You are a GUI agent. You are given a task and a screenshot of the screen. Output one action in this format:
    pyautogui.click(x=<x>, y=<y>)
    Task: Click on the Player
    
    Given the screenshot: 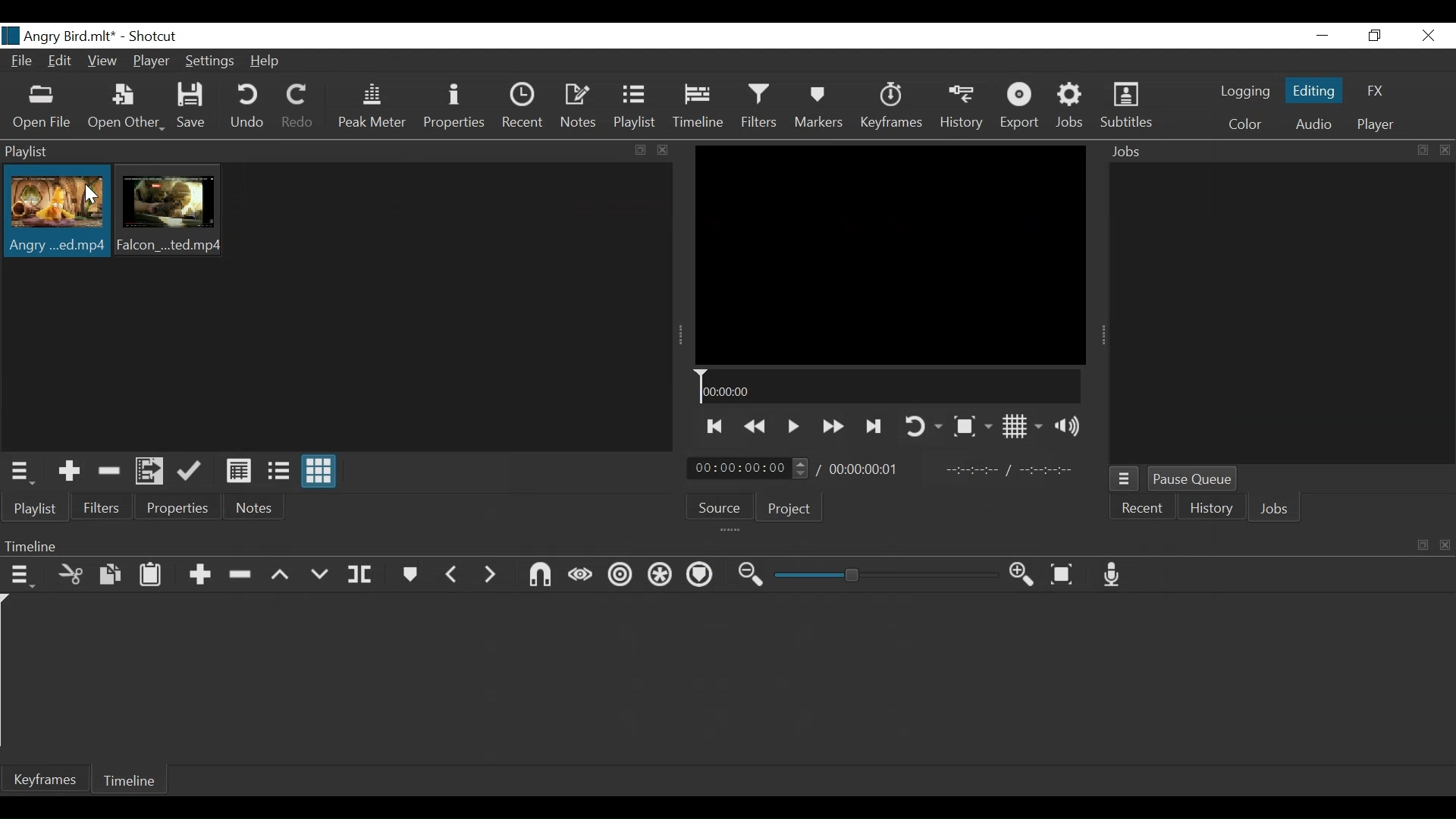 What is the action you would take?
    pyautogui.click(x=1376, y=124)
    